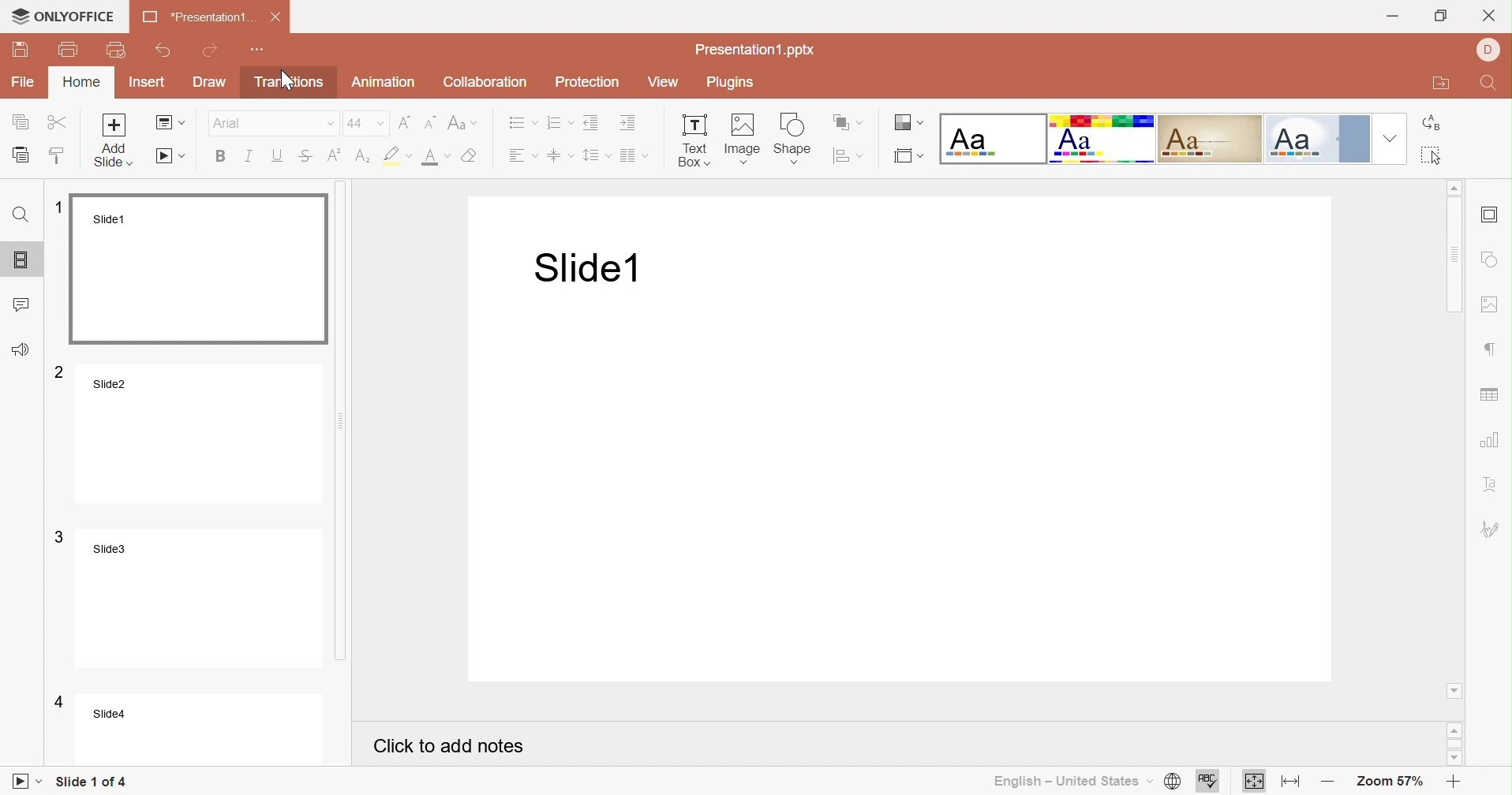  Describe the element at coordinates (148, 83) in the screenshot. I see `Insert` at that location.